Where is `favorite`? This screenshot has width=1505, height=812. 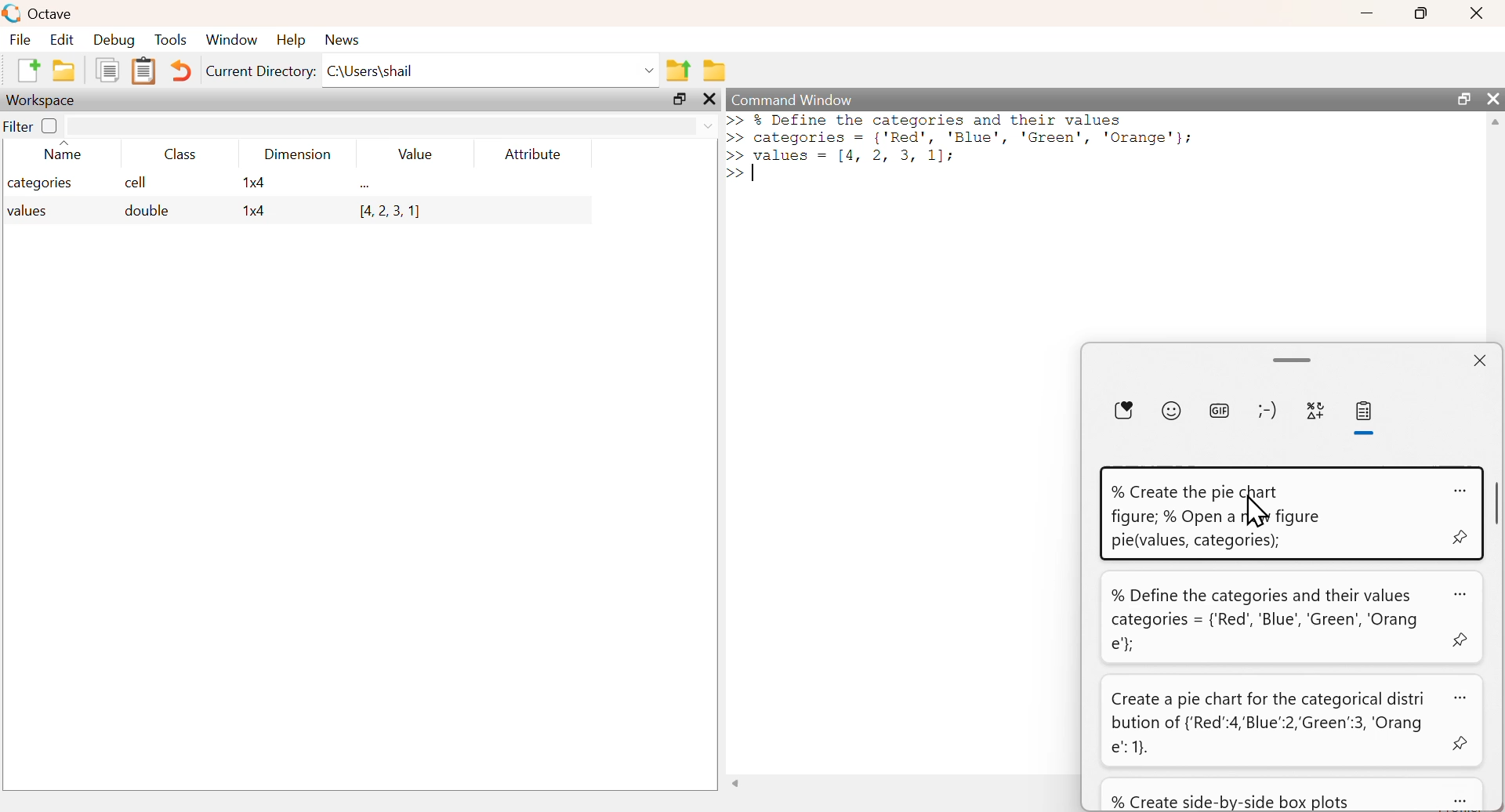
favorite is located at coordinates (1122, 409).